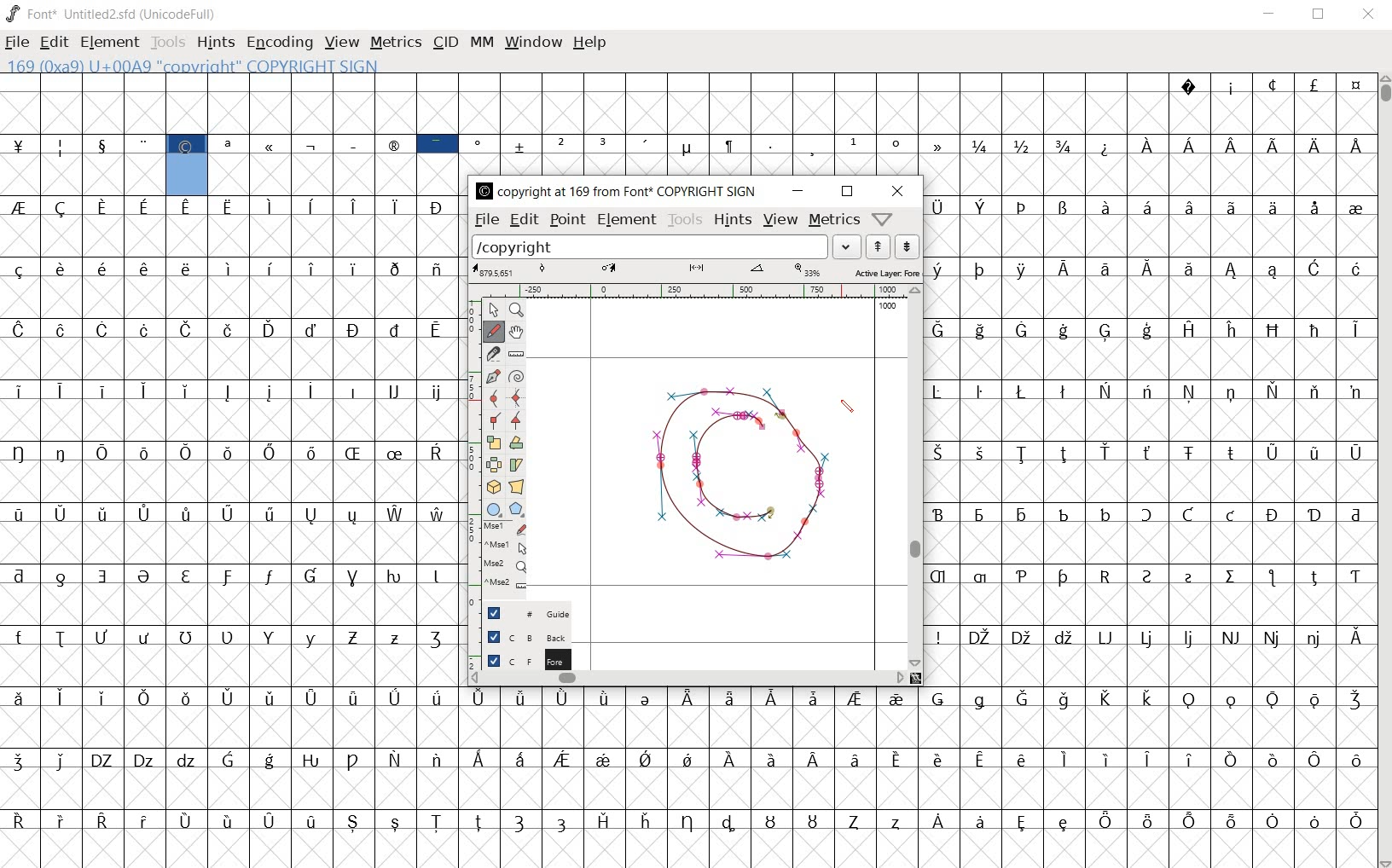 The width and height of the screenshot is (1392, 868). Describe the element at coordinates (493, 309) in the screenshot. I see `POINTER` at that location.